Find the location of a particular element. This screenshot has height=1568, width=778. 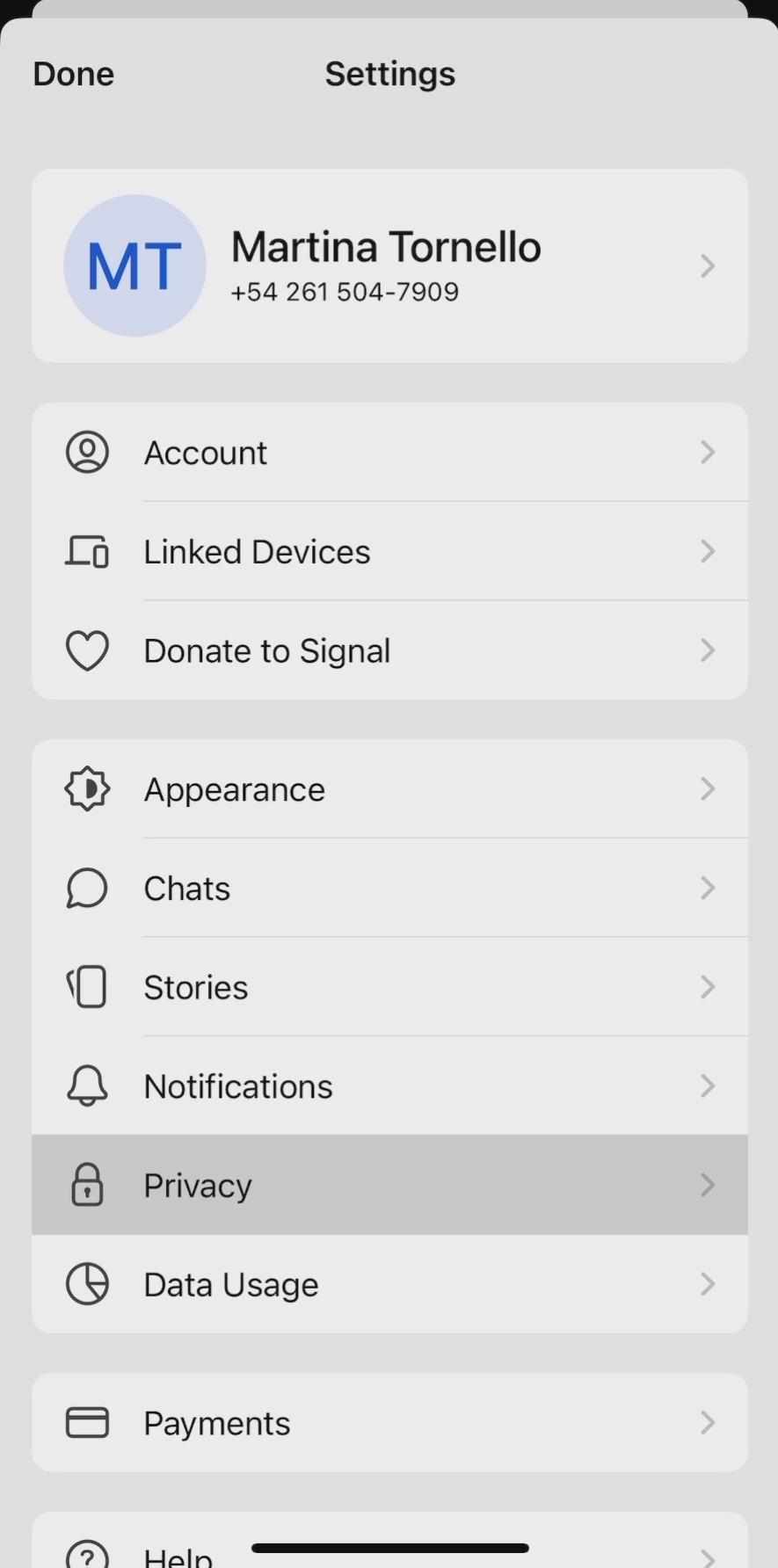

settings is located at coordinates (393, 73).